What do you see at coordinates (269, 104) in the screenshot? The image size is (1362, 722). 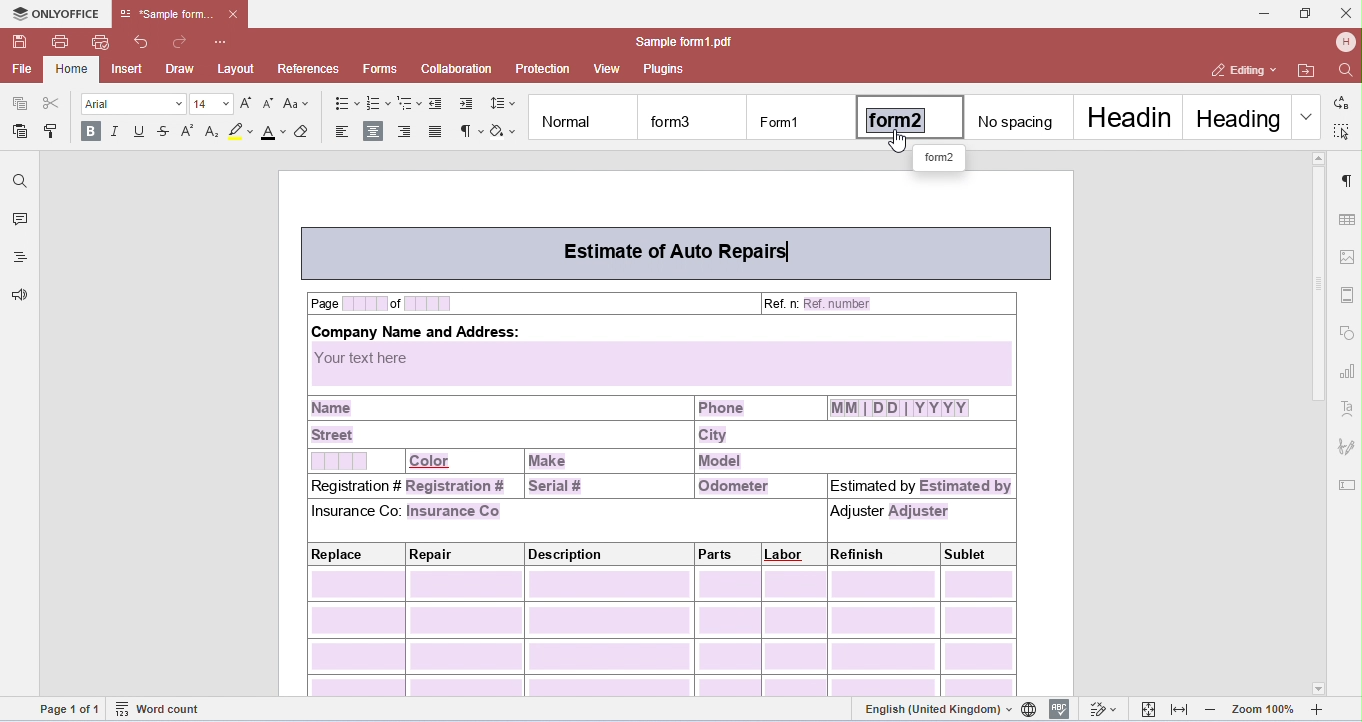 I see `decrement font size` at bounding box center [269, 104].